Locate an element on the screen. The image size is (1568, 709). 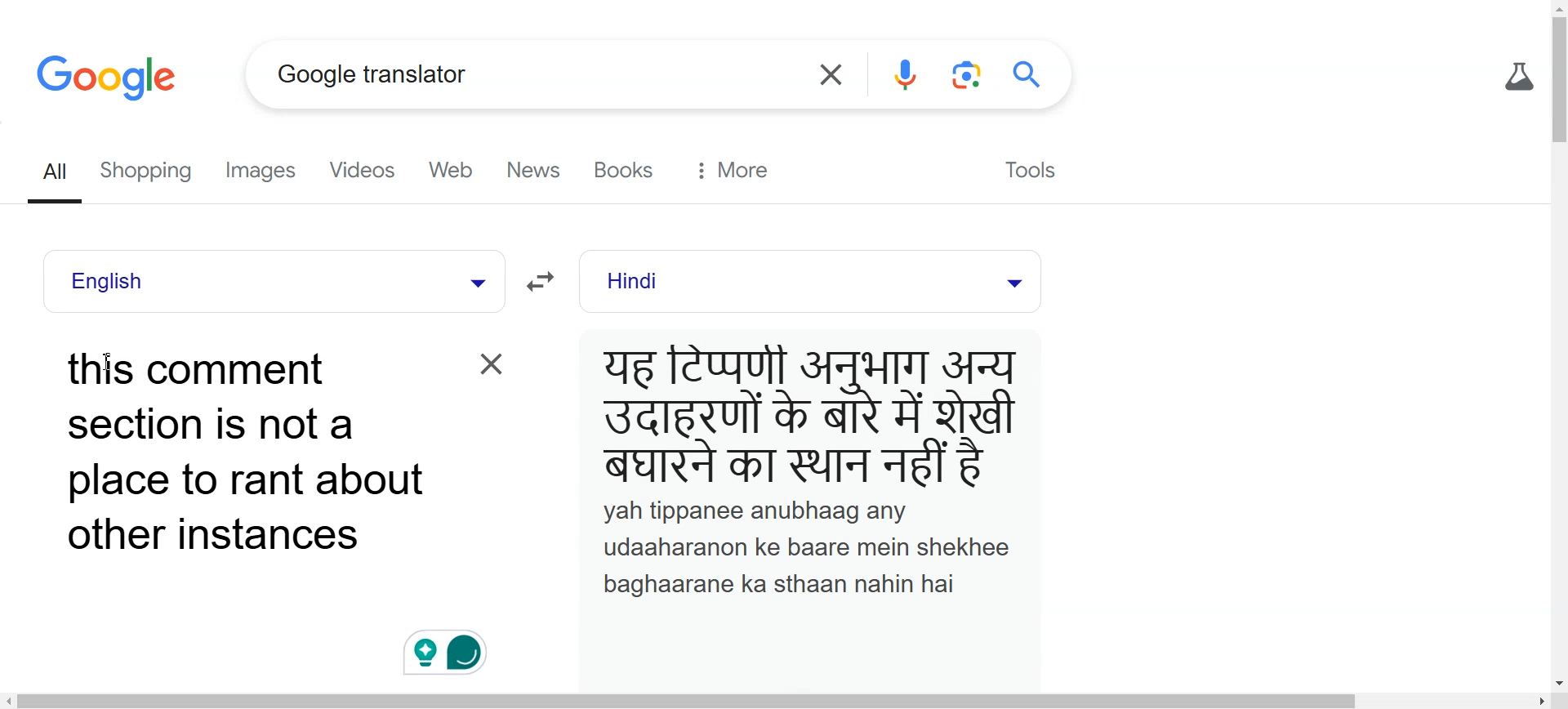
Tools is located at coordinates (1027, 167).